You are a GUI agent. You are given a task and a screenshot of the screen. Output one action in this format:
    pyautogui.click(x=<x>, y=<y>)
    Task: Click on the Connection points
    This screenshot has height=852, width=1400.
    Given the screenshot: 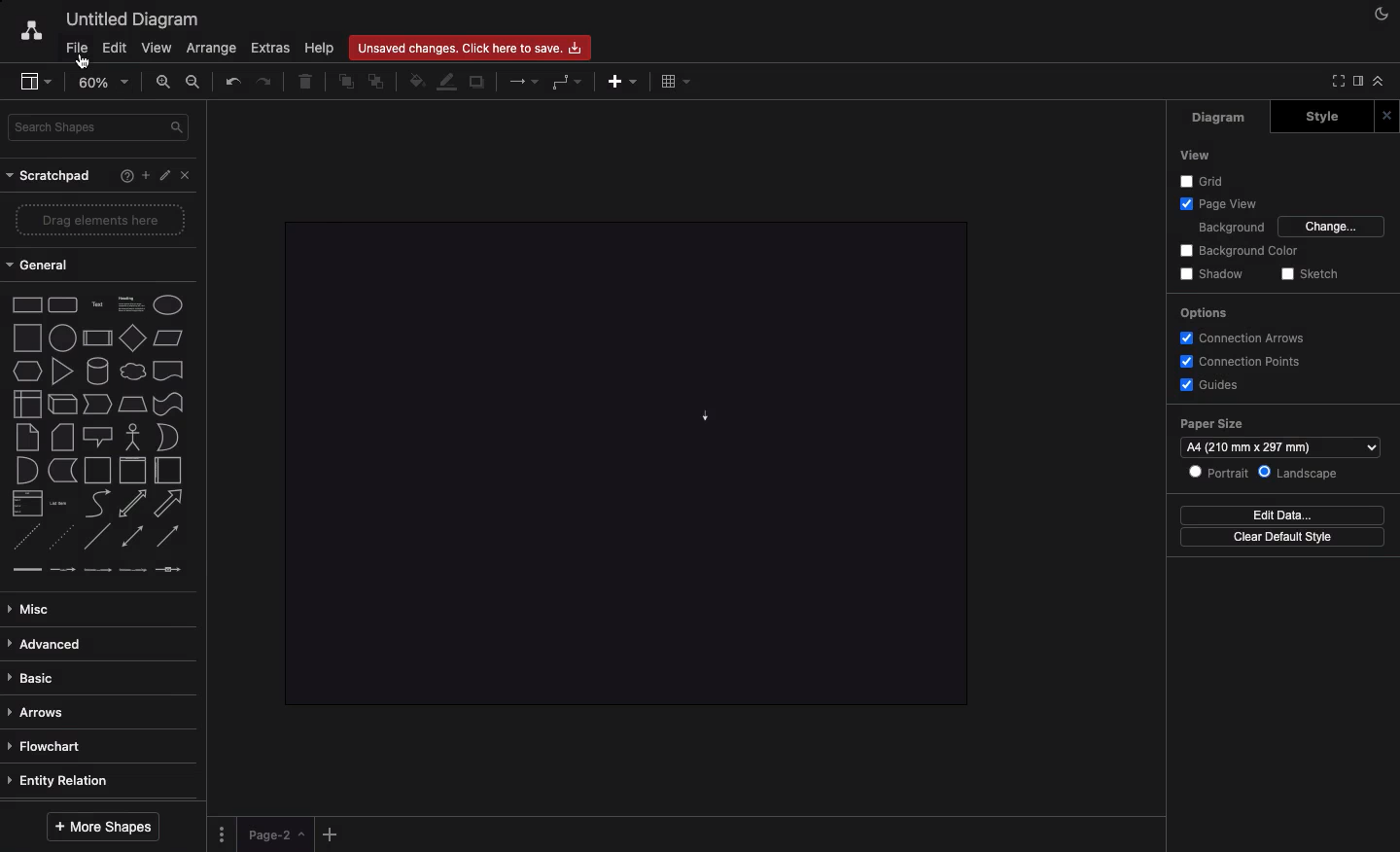 What is the action you would take?
    pyautogui.click(x=1239, y=361)
    